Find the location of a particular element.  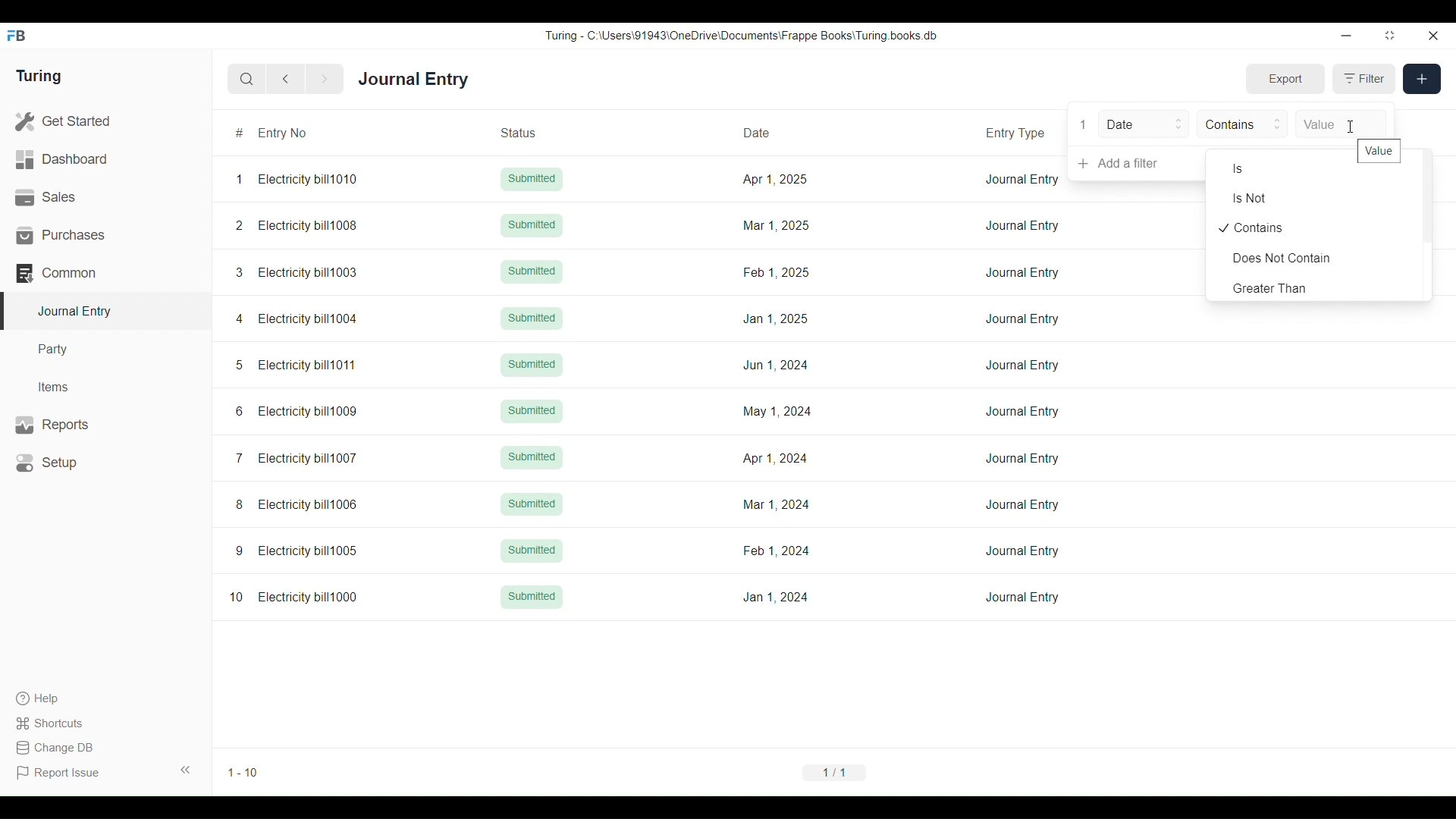

10 Electricity bill1000 is located at coordinates (294, 597).